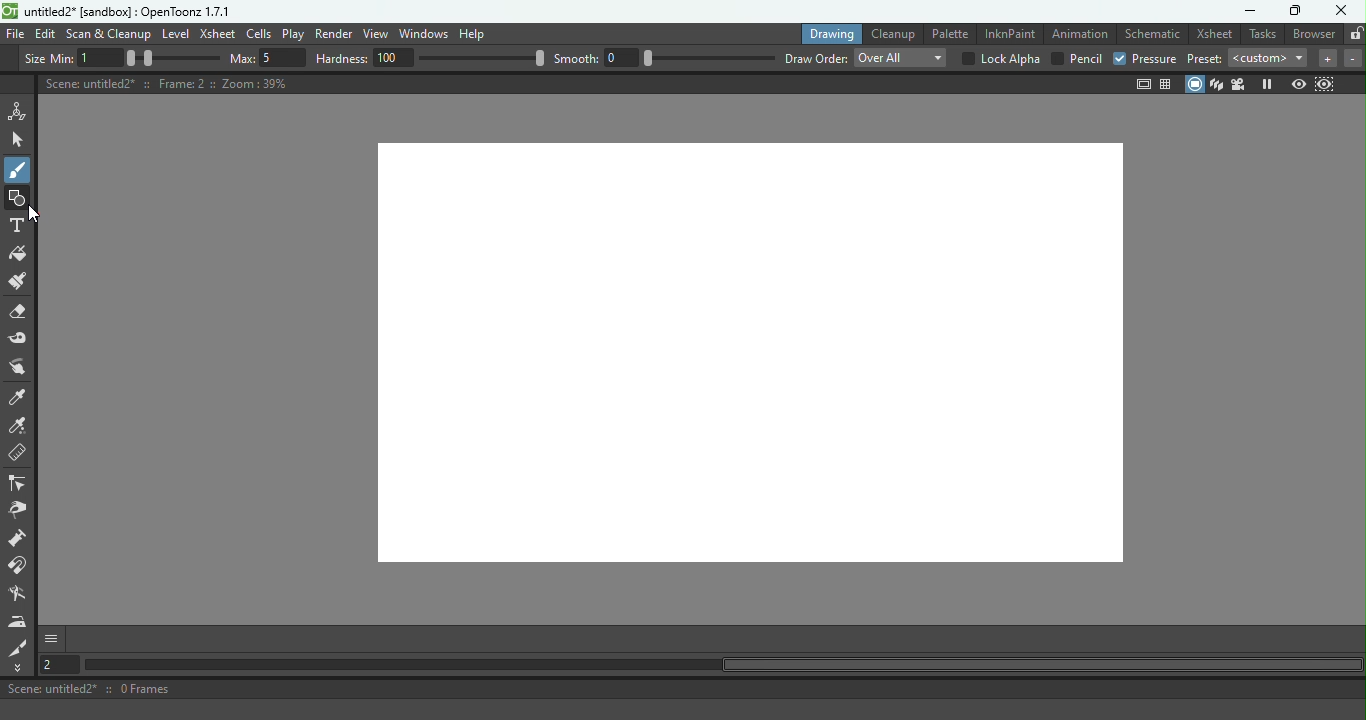  Describe the element at coordinates (1300, 82) in the screenshot. I see `Preview` at that location.